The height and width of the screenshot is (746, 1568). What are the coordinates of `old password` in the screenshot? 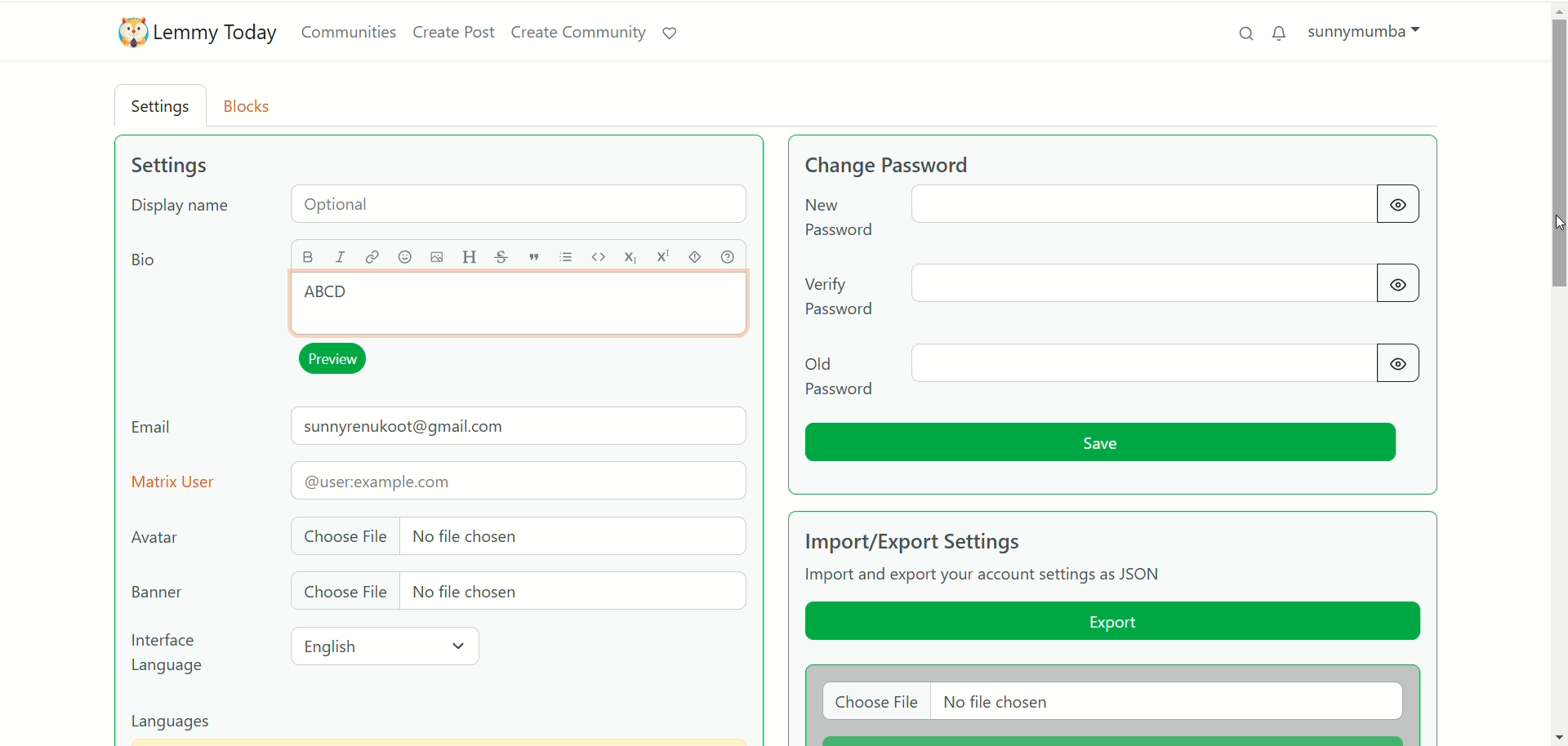 It's located at (1114, 371).